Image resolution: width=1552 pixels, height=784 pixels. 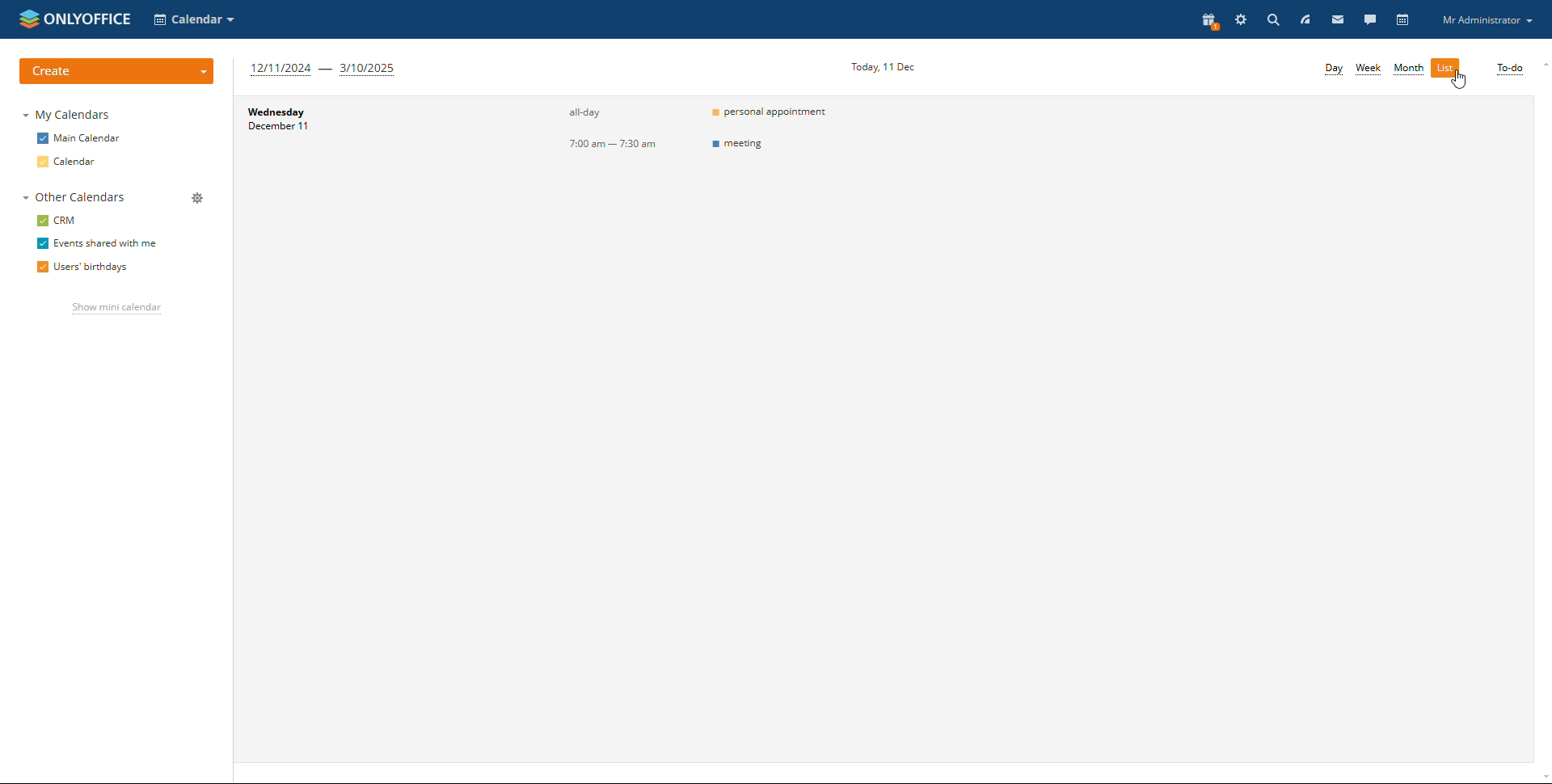 What do you see at coordinates (57, 220) in the screenshot?
I see `crm` at bounding box center [57, 220].